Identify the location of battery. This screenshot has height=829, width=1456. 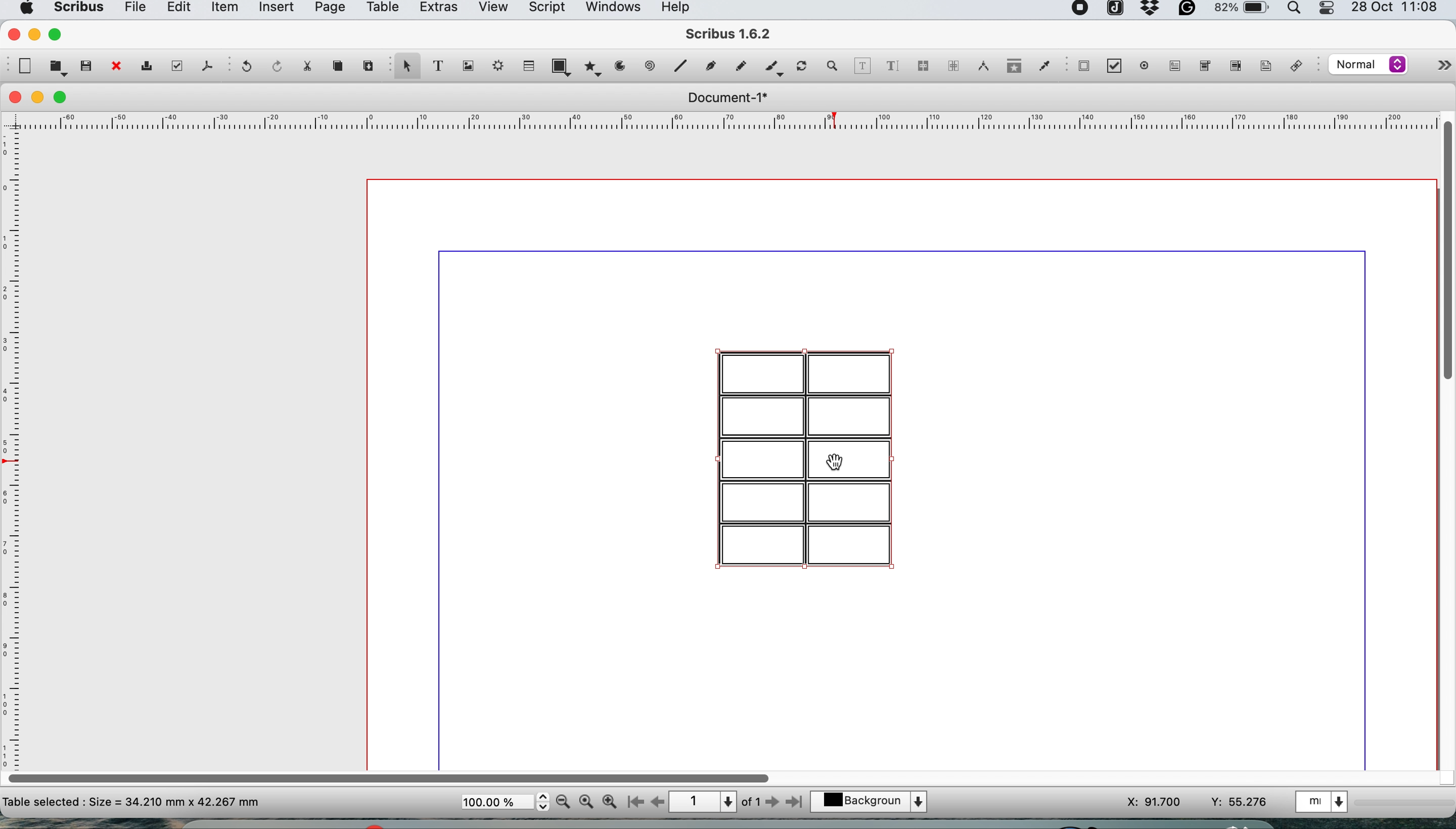
(1240, 11).